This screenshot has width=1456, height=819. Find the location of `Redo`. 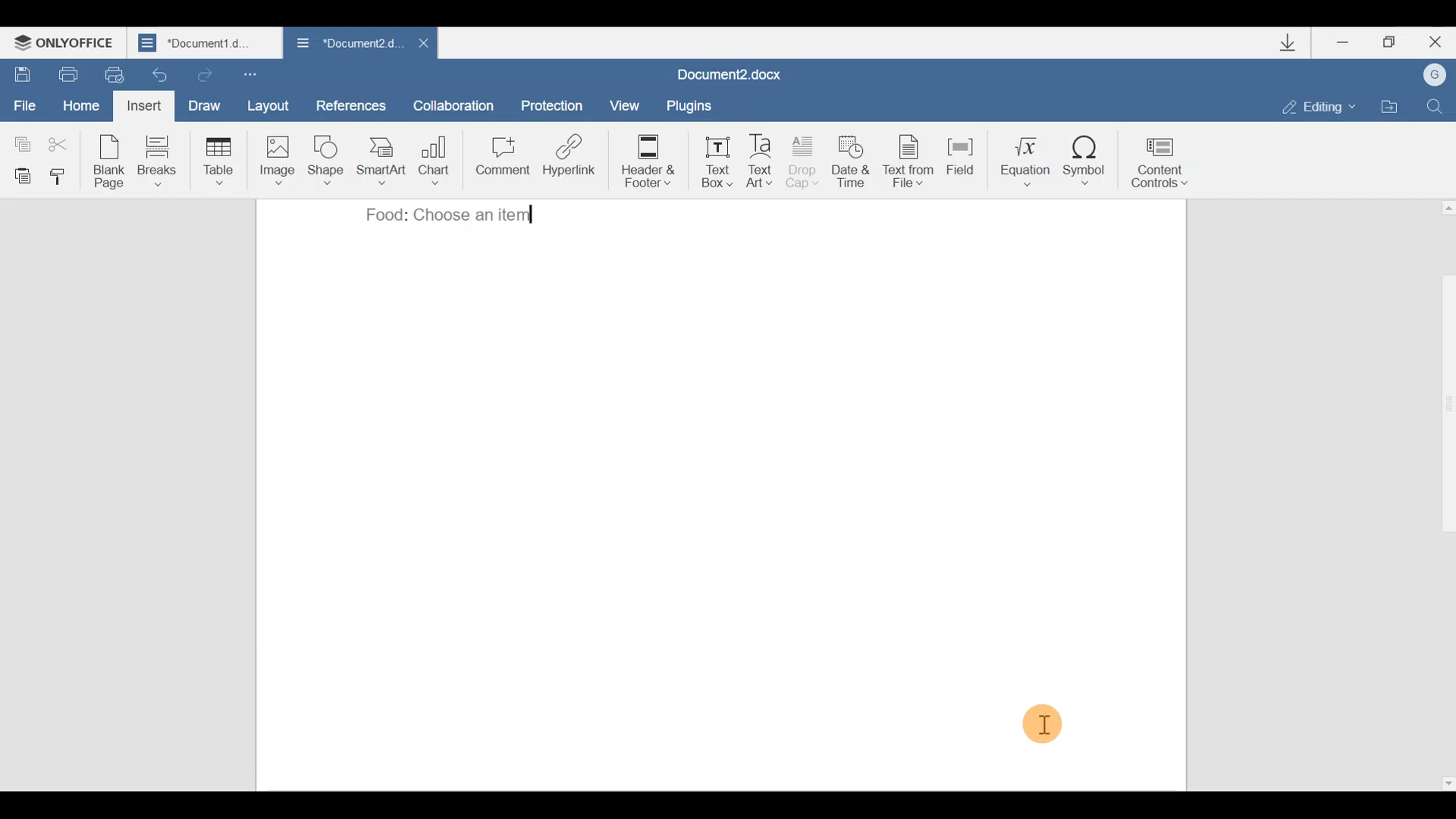

Redo is located at coordinates (206, 77).